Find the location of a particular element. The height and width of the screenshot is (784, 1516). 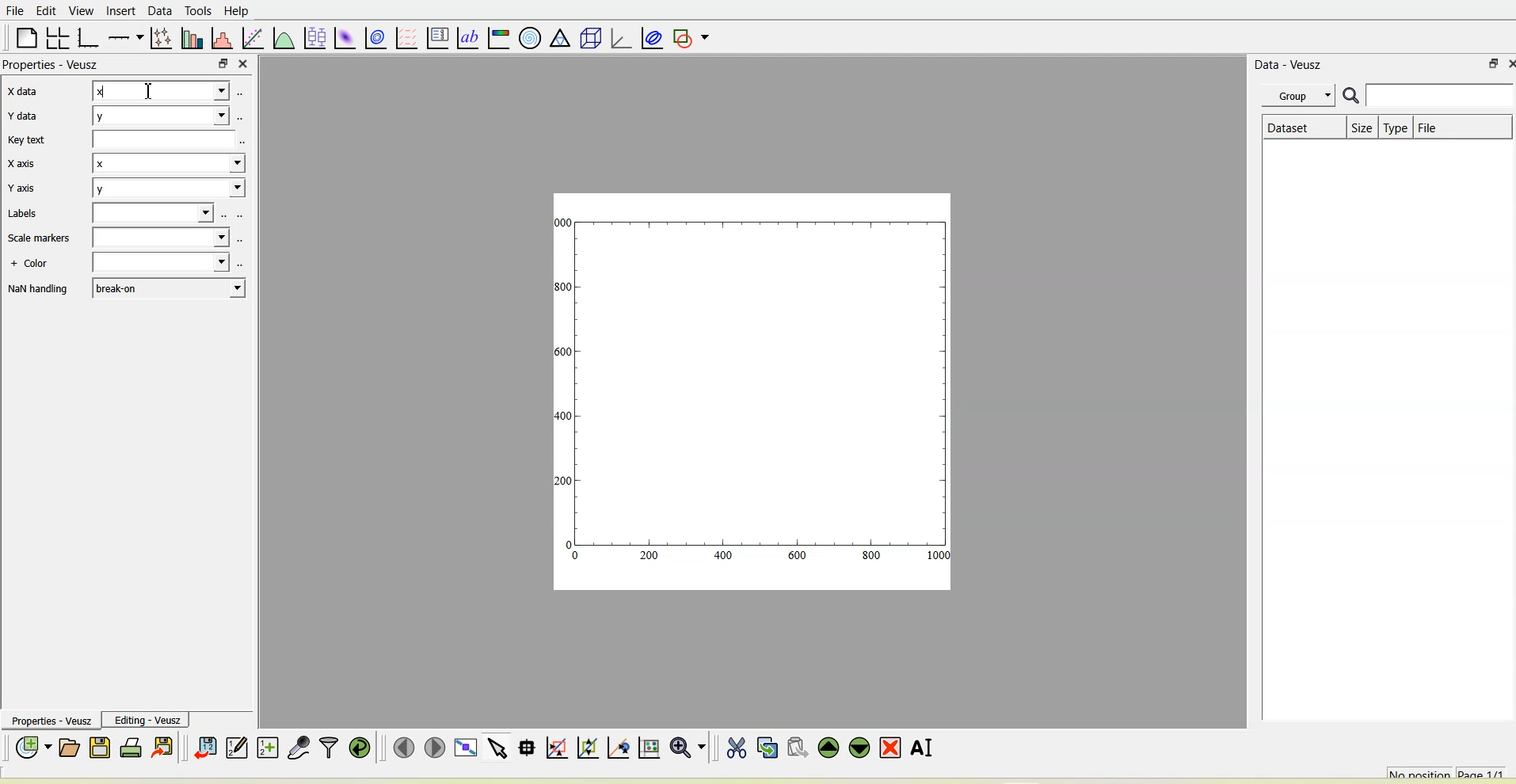

Help is located at coordinates (238, 11).